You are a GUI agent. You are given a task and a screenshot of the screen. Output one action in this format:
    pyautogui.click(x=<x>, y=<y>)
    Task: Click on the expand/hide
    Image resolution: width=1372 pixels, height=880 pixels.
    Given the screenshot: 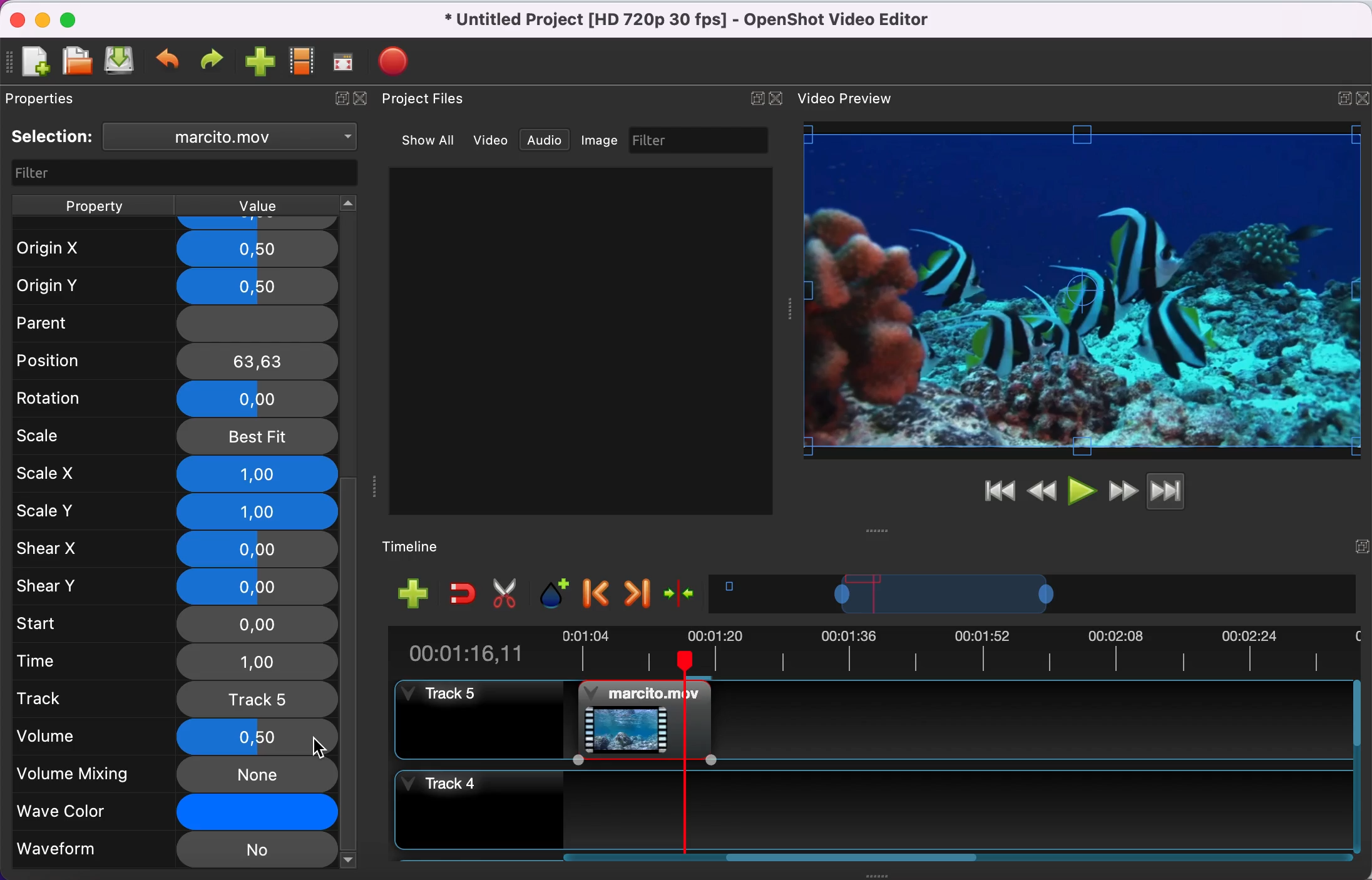 What is the action you would take?
    pyautogui.click(x=1363, y=95)
    